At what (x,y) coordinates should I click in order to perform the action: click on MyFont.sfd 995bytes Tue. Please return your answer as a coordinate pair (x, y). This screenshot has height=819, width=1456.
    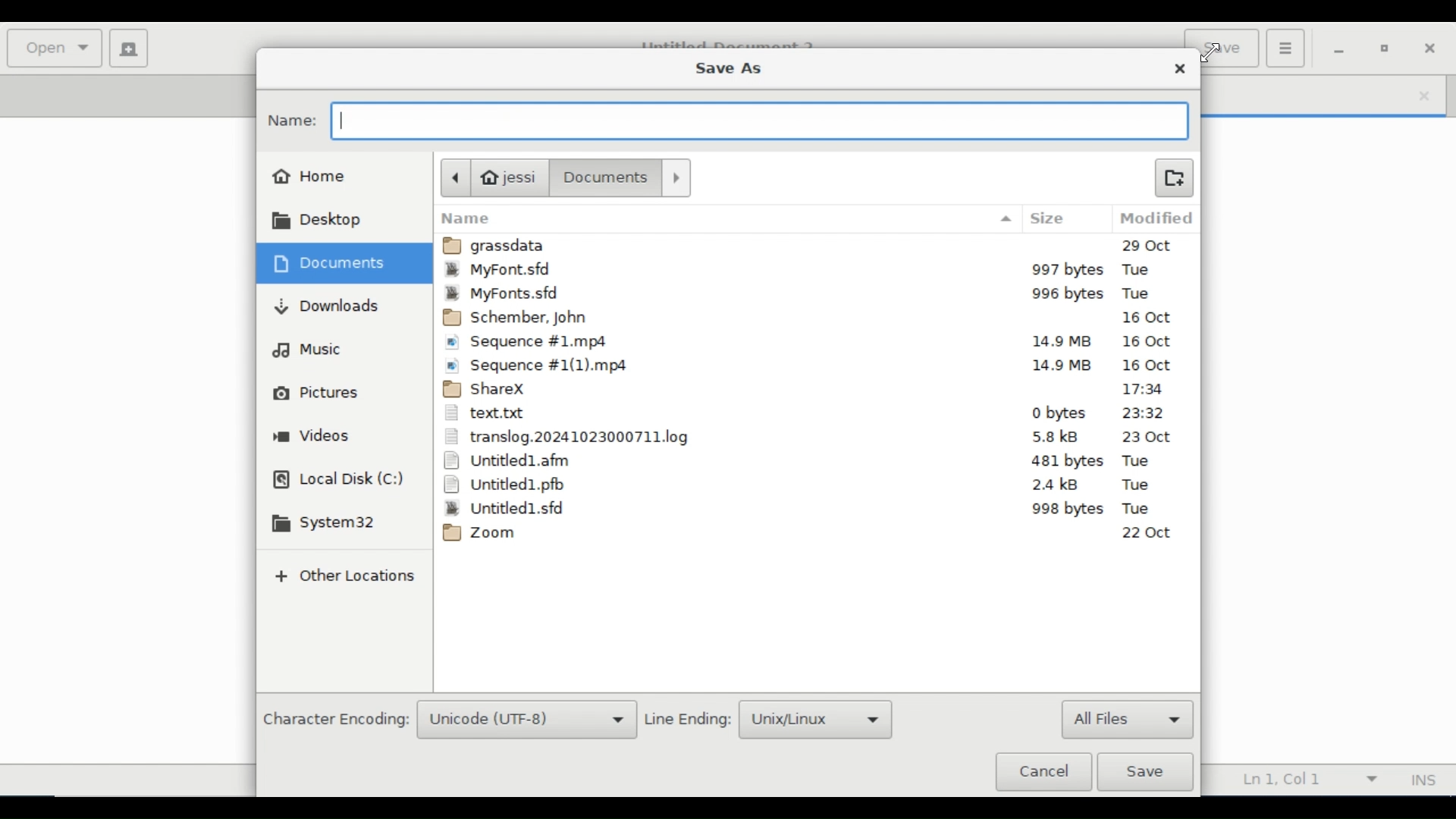
    Looking at the image, I should click on (817, 294).